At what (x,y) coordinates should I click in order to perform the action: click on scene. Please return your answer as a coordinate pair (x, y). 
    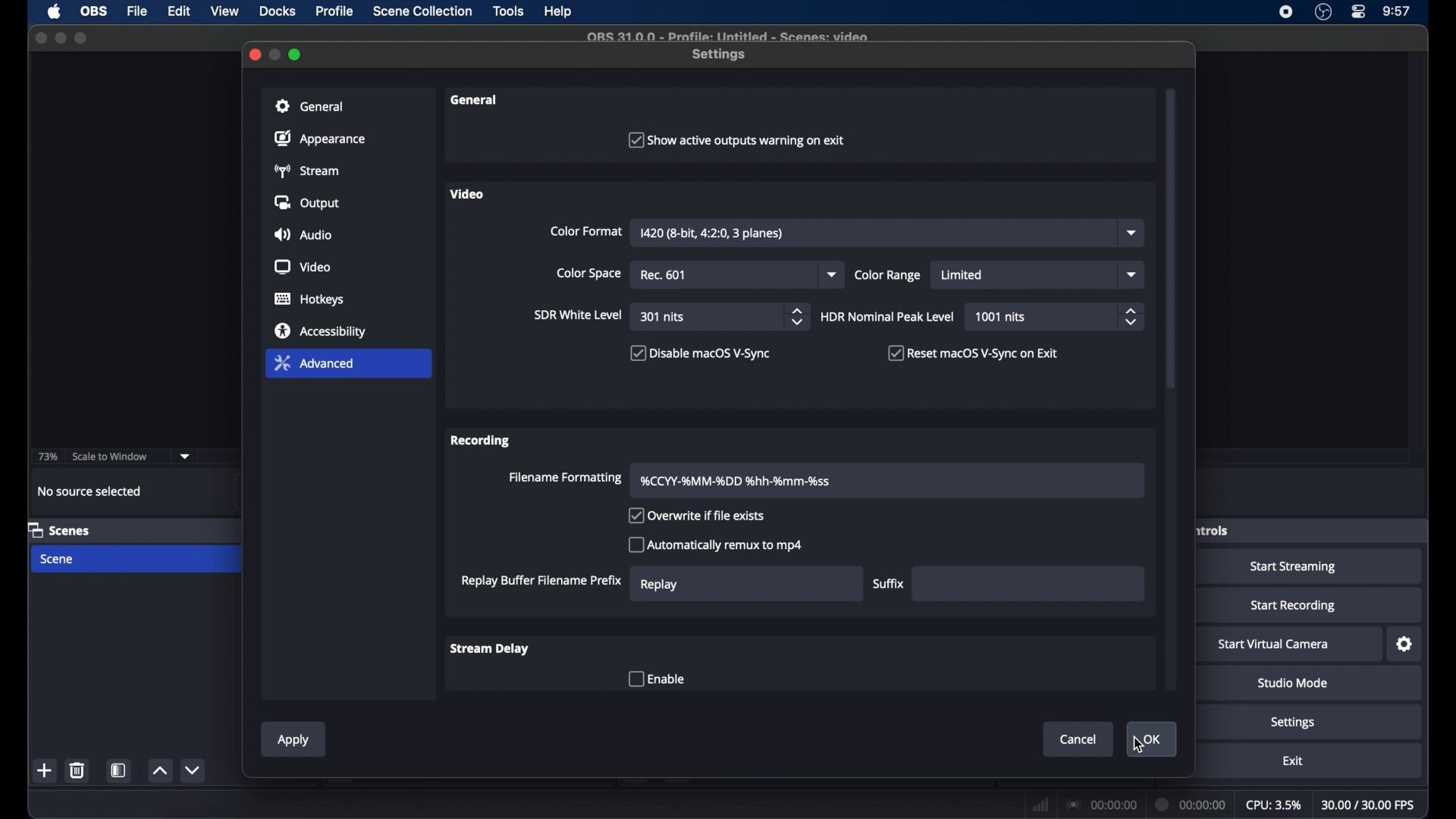
    Looking at the image, I should click on (55, 559).